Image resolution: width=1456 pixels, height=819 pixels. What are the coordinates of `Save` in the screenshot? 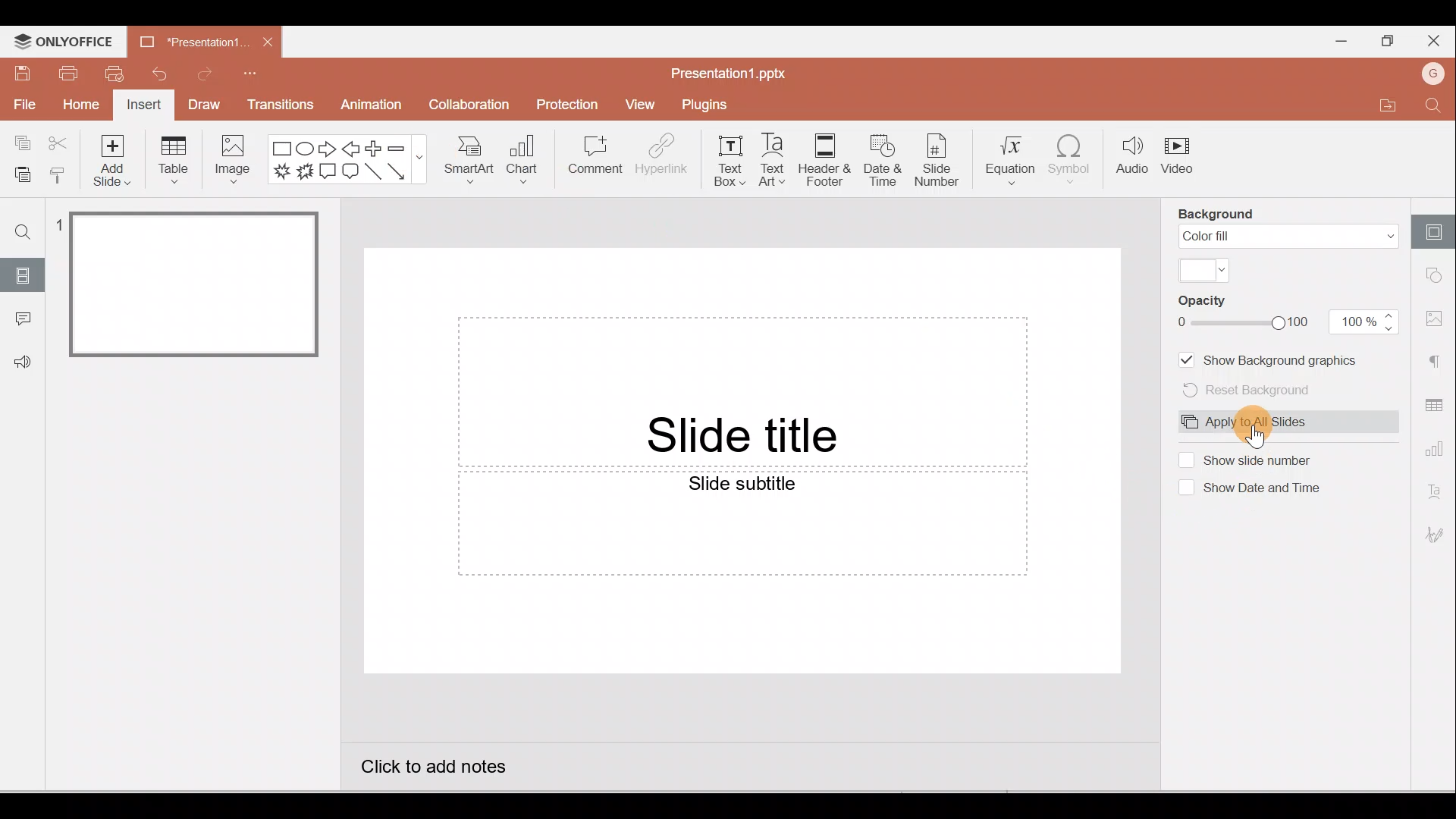 It's located at (19, 72).